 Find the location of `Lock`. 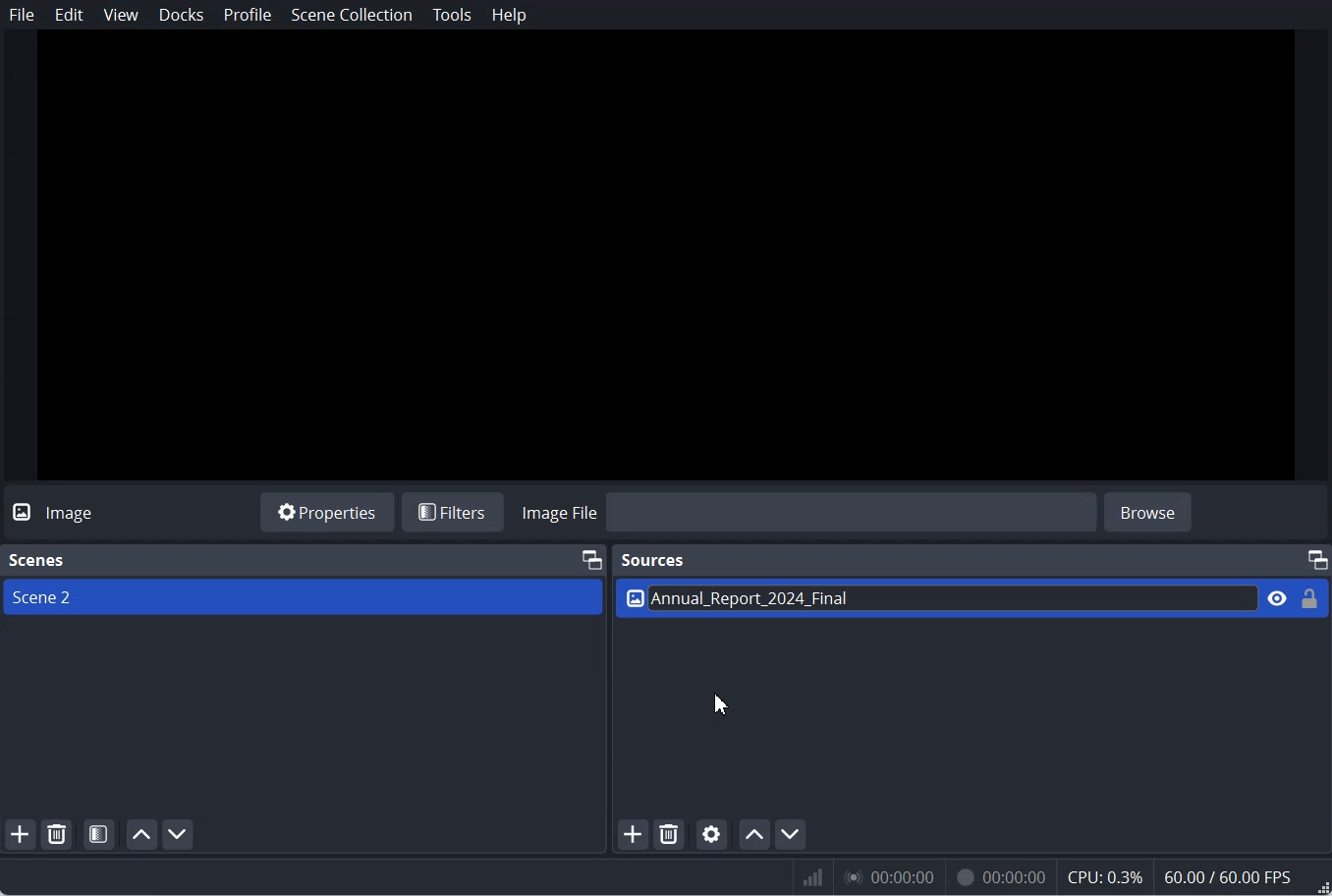

Lock is located at coordinates (1309, 598).